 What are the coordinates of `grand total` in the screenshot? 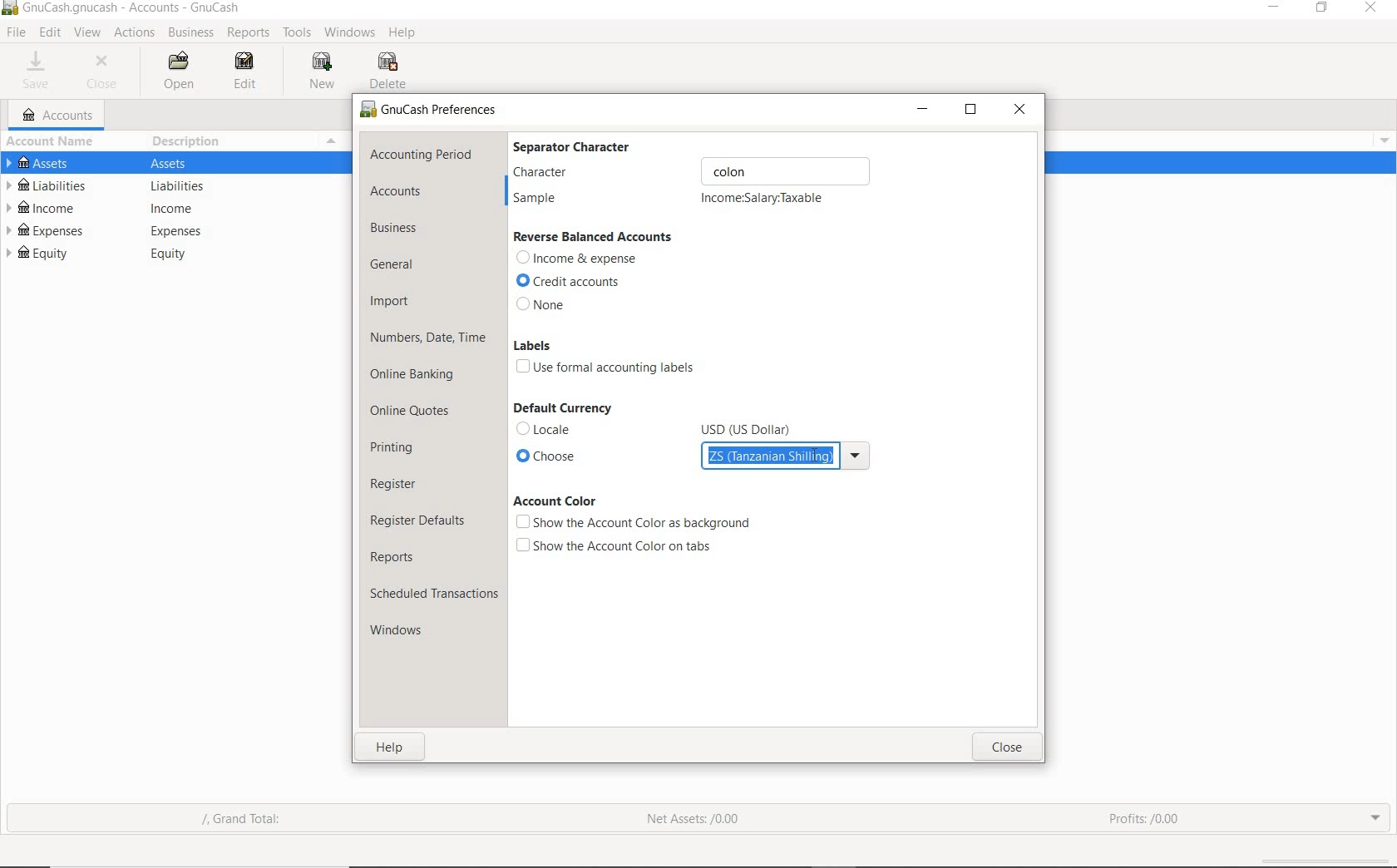 It's located at (253, 821).